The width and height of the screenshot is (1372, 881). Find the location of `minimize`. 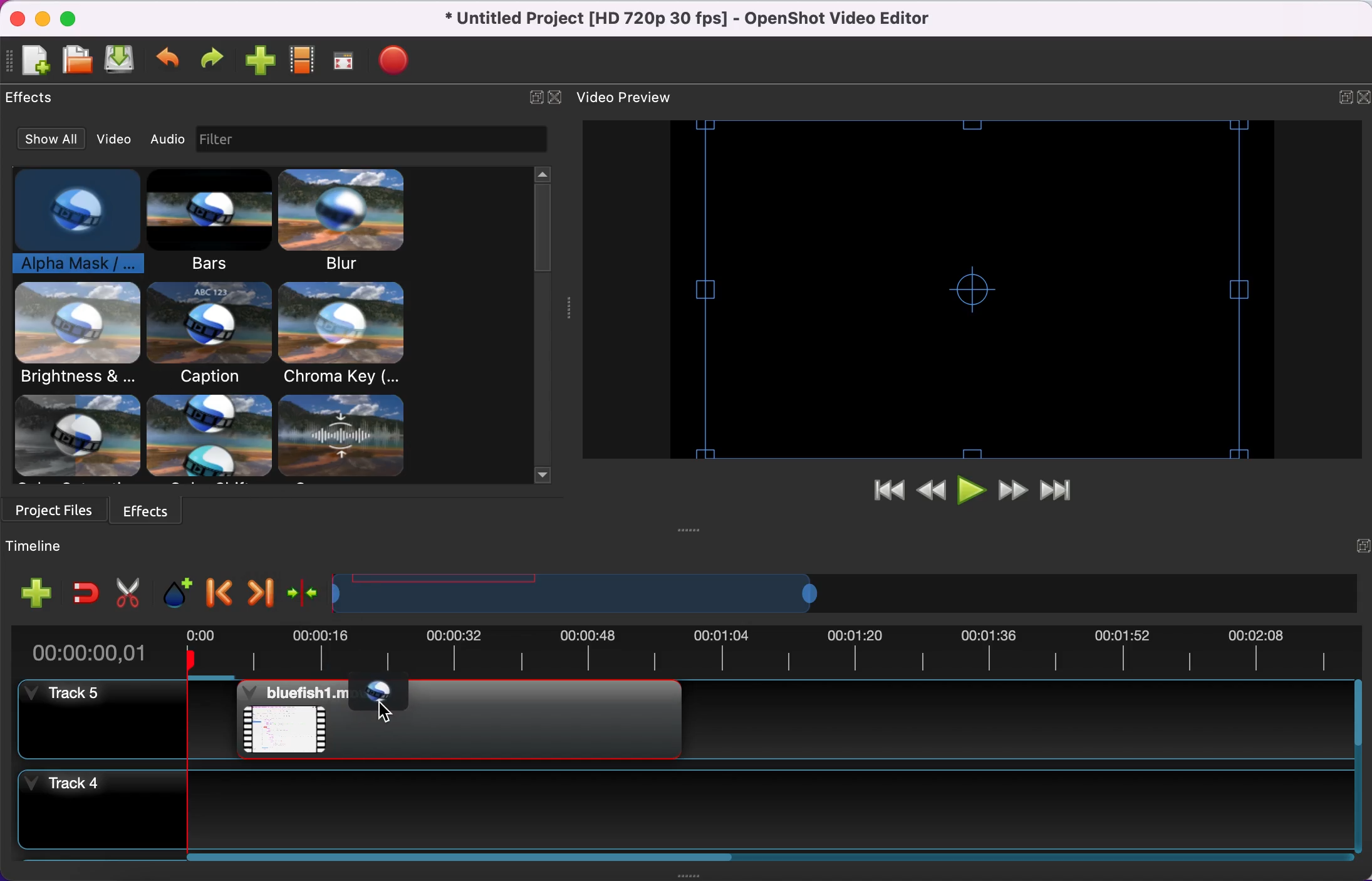

minimize is located at coordinates (40, 18).